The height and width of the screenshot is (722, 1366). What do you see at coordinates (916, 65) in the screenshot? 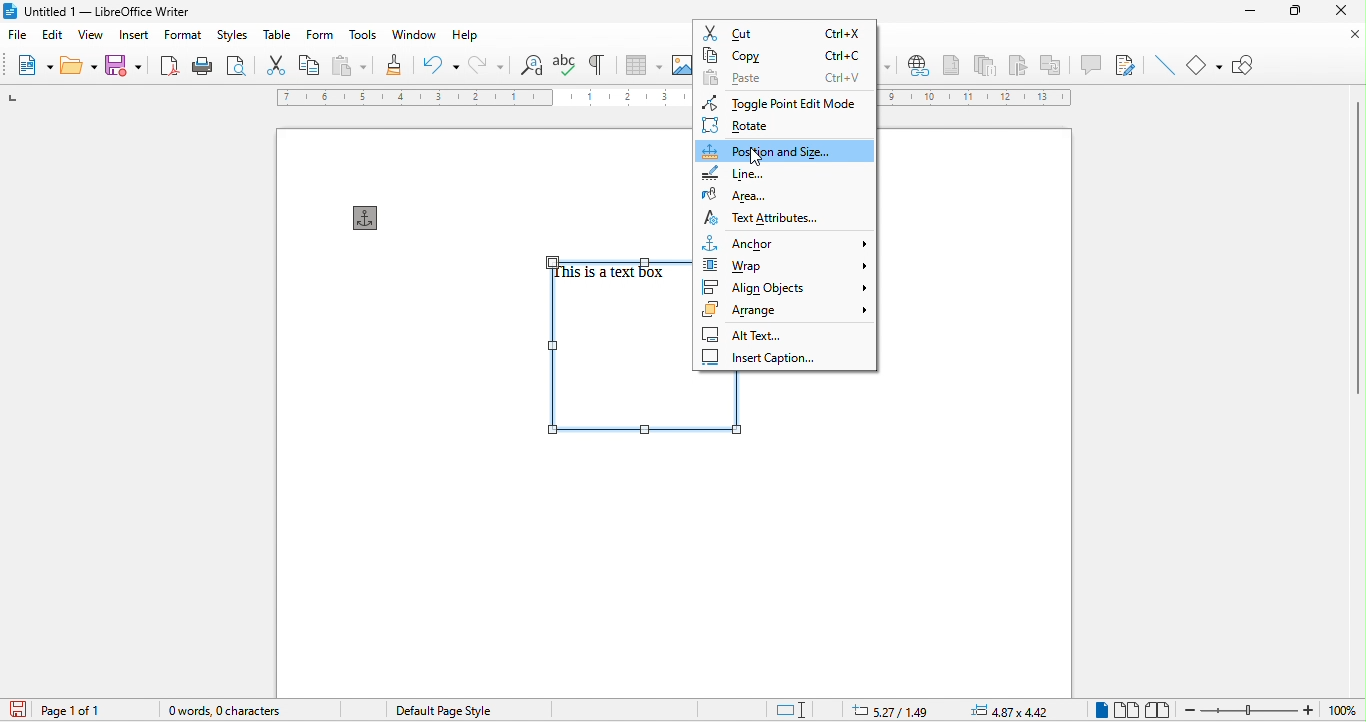
I see `hyperlink` at bounding box center [916, 65].